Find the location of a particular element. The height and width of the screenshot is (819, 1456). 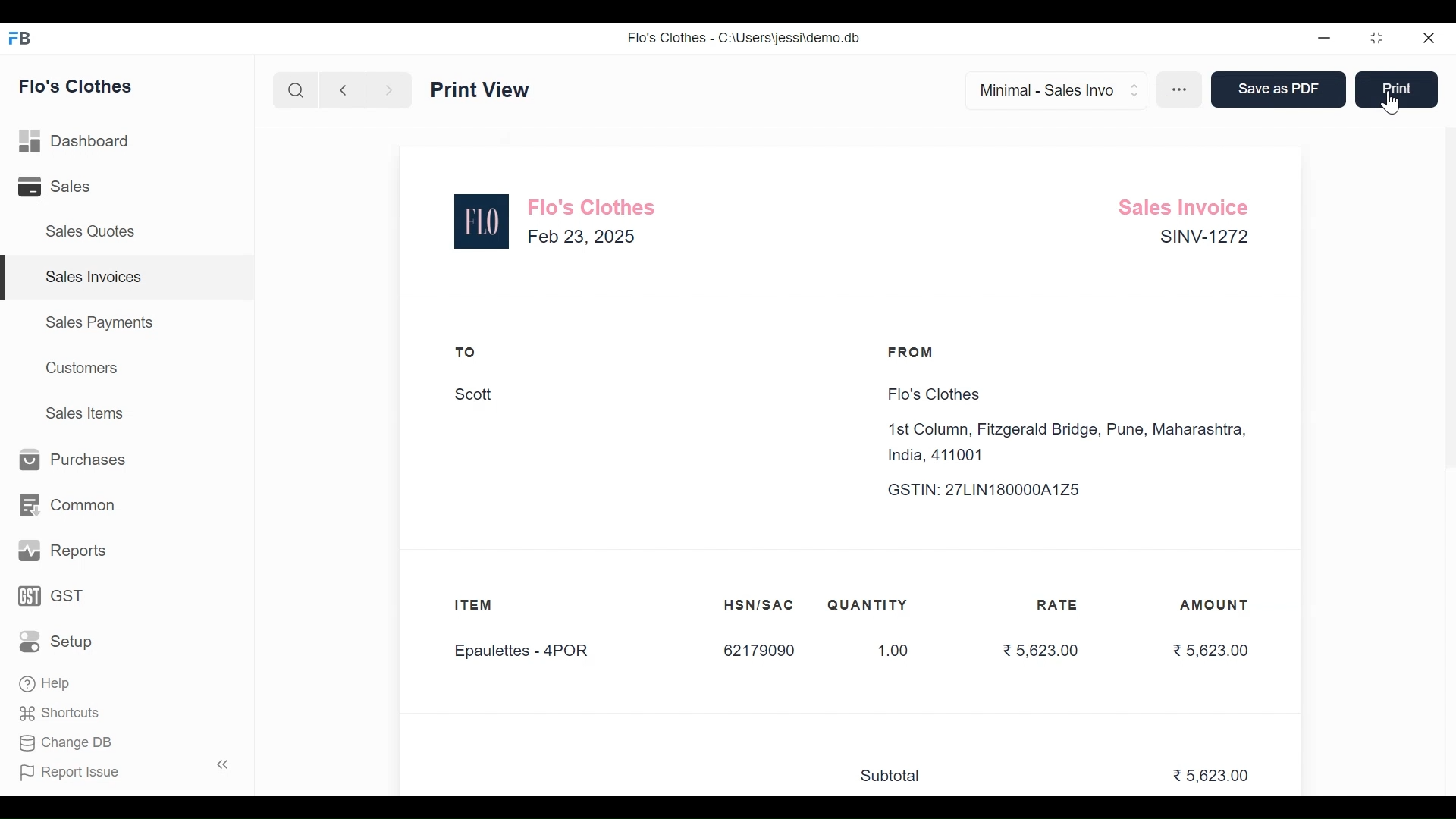

Print is located at coordinates (1395, 88).